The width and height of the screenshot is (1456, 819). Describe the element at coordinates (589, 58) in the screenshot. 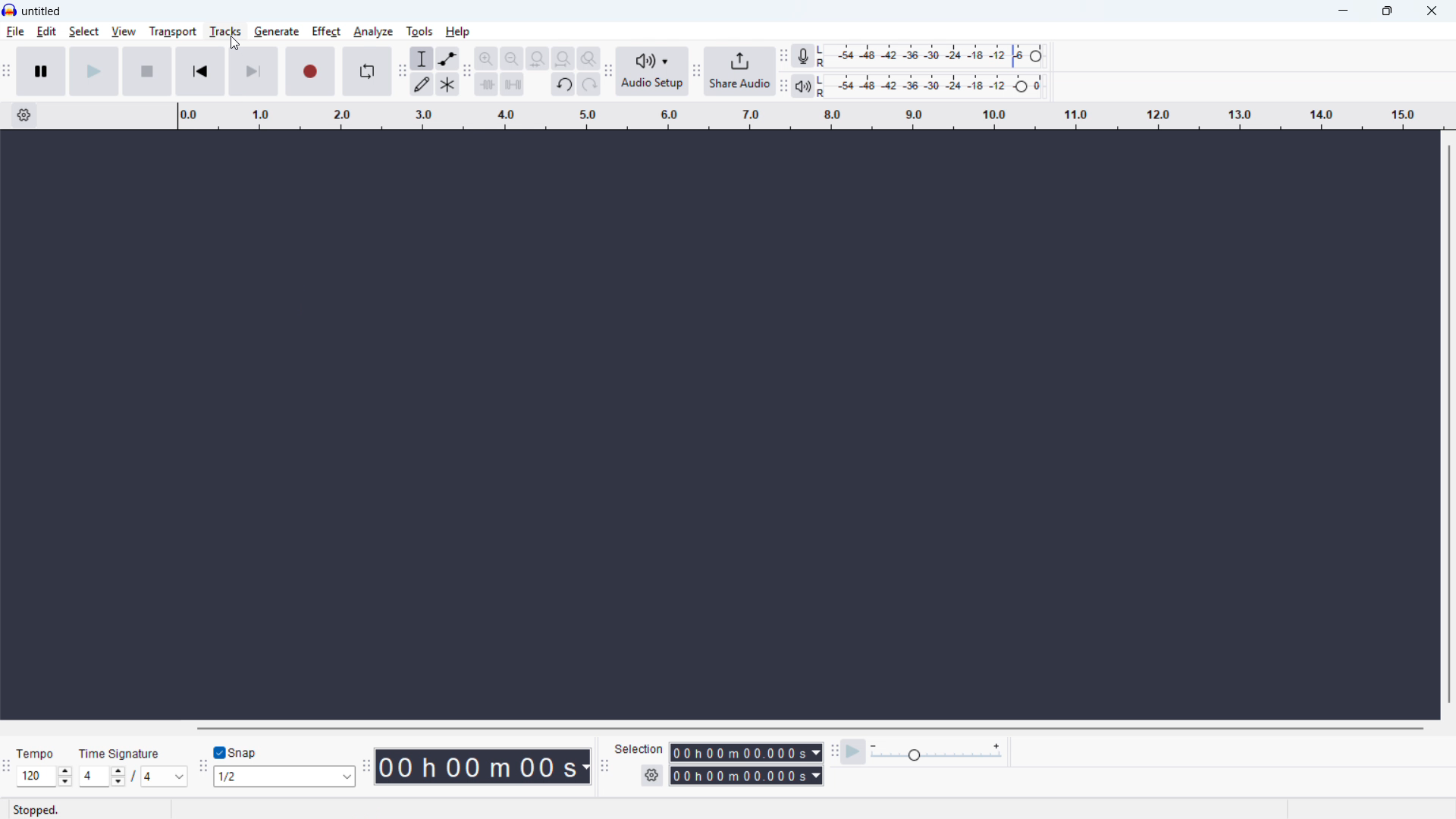

I see `Toggle zoom ` at that location.